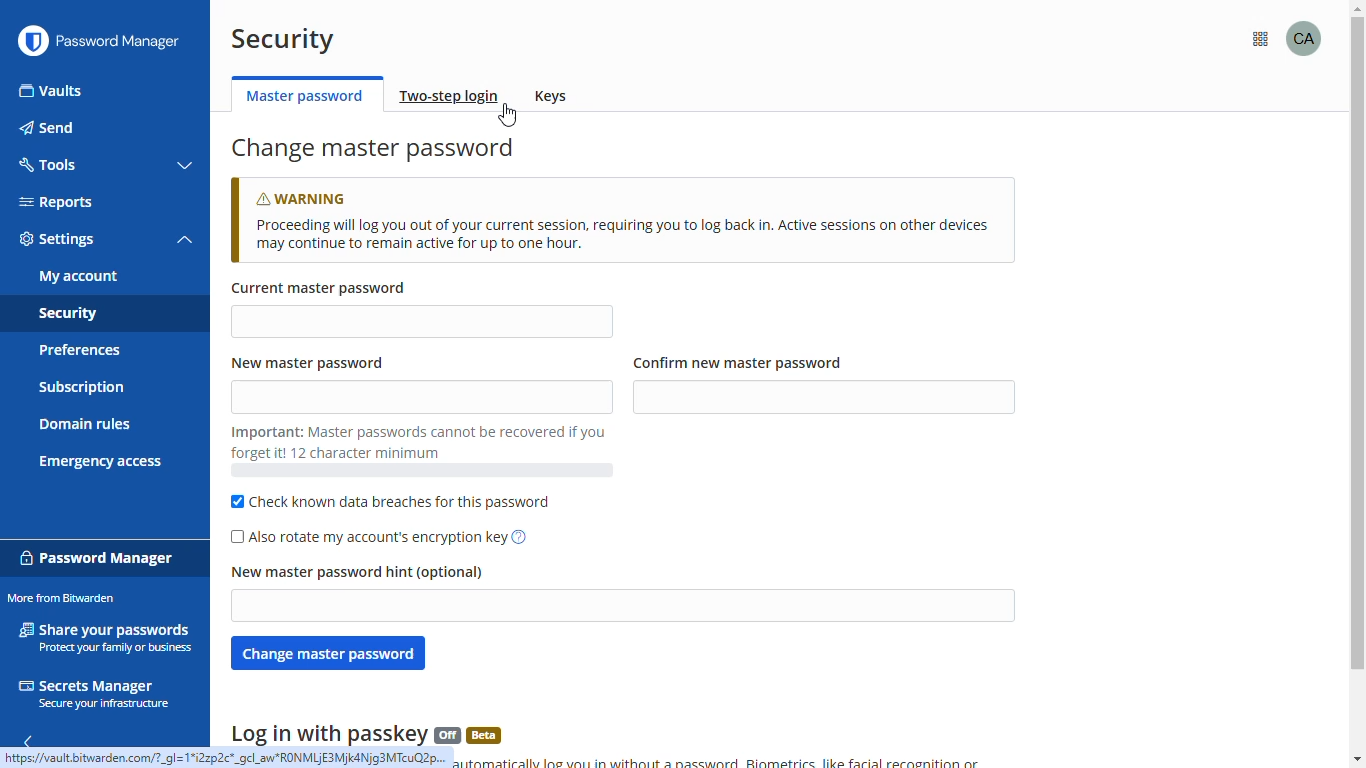 Image resolution: width=1366 pixels, height=768 pixels. Describe the element at coordinates (511, 117) in the screenshot. I see `cursor` at that location.